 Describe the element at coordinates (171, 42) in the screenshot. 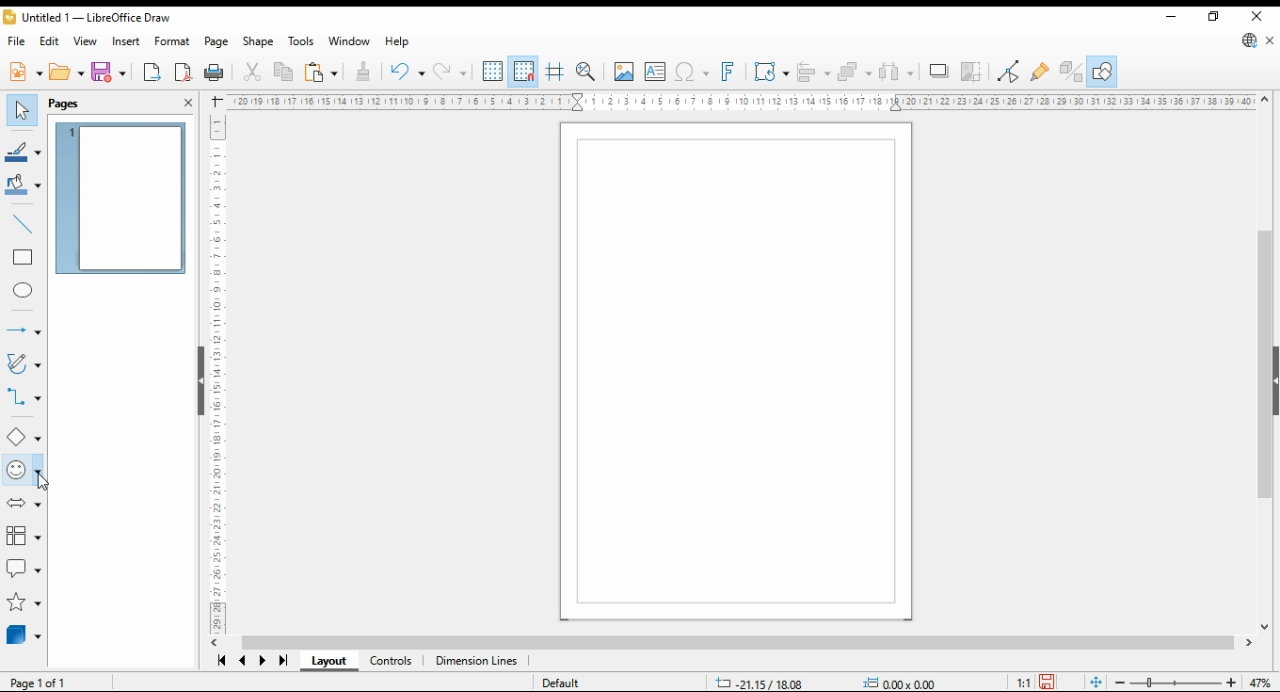

I see `format` at that location.